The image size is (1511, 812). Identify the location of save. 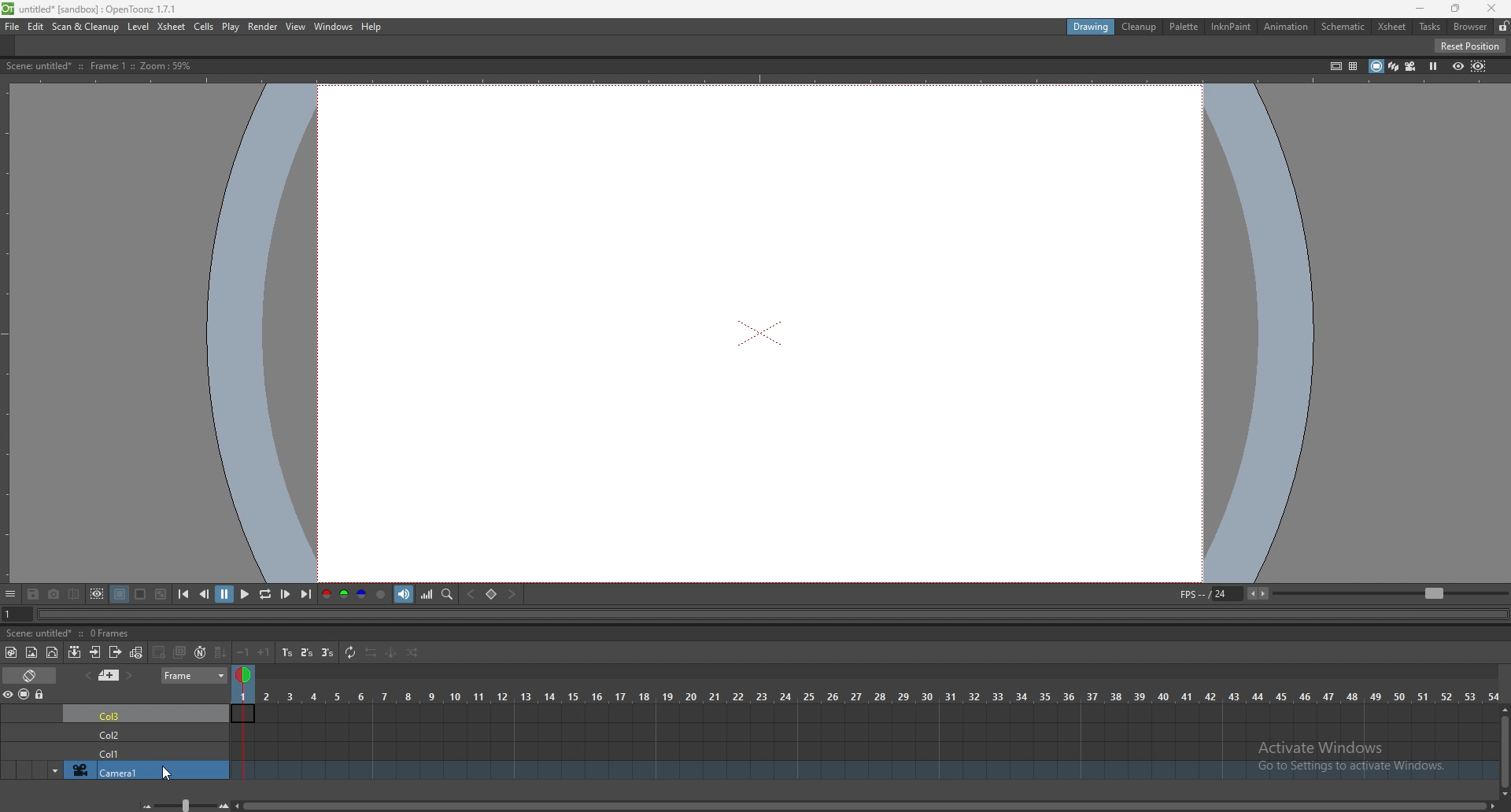
(35, 593).